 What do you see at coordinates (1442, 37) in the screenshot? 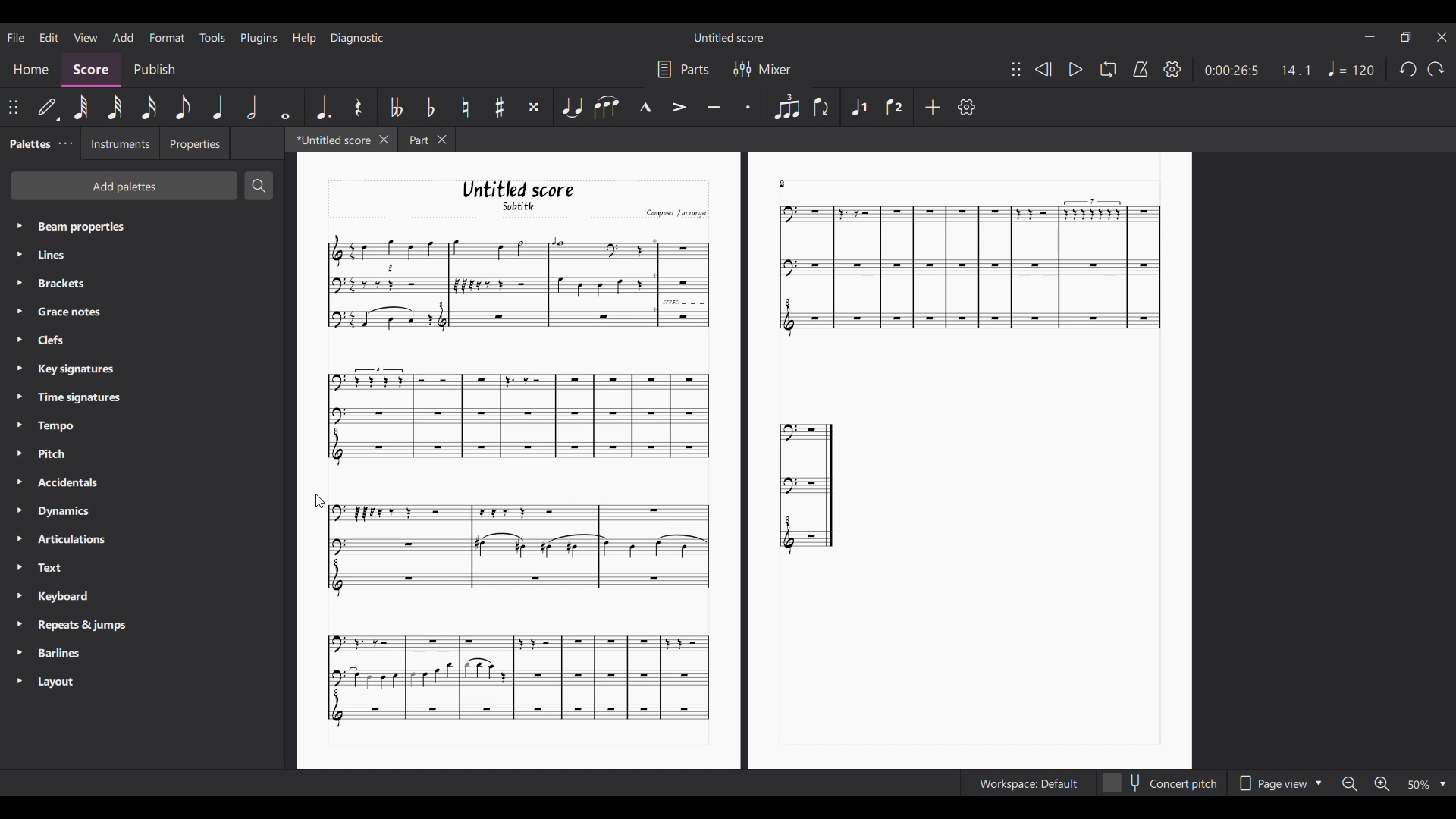
I see `Close interface` at bounding box center [1442, 37].